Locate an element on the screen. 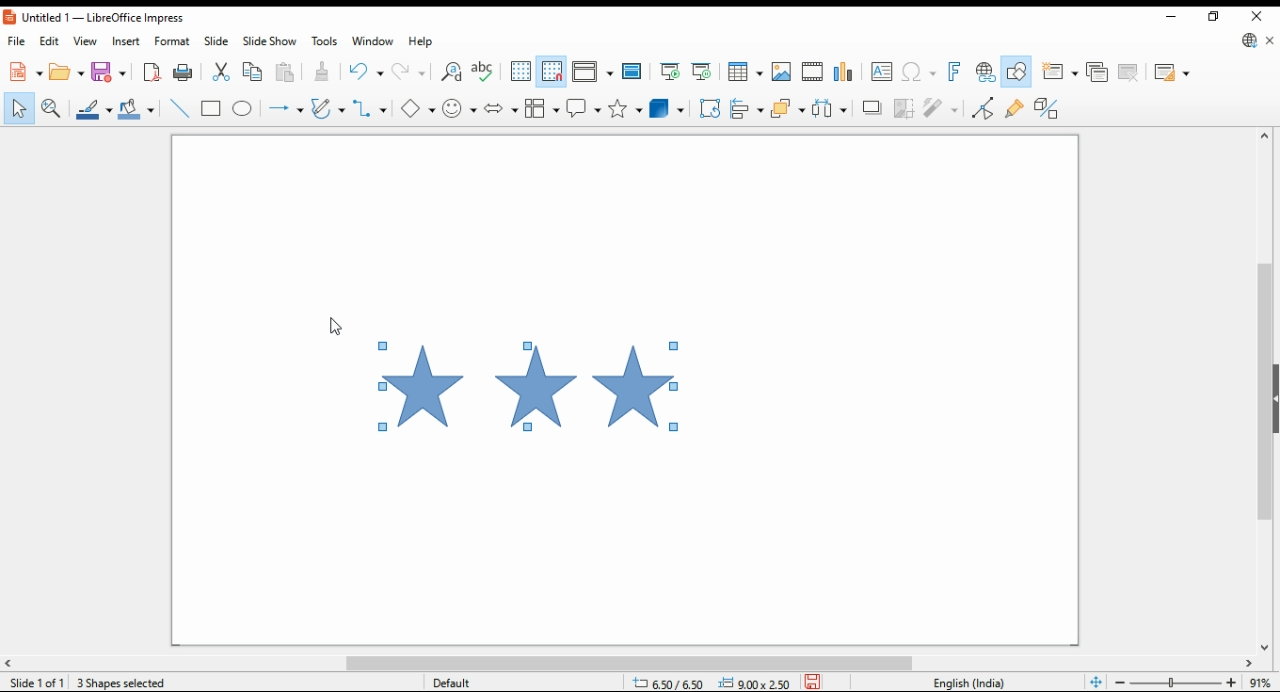 The width and height of the screenshot is (1280, 692). line color is located at coordinates (93, 109).